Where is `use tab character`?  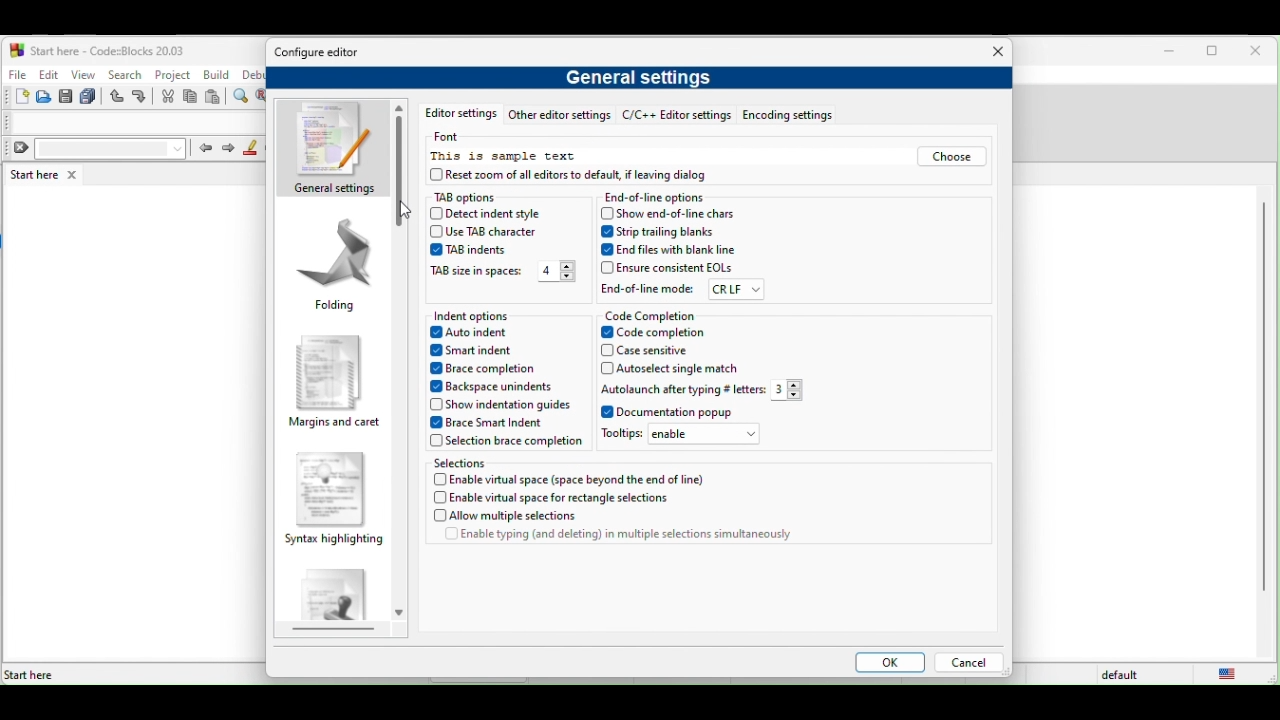 use tab character is located at coordinates (489, 232).